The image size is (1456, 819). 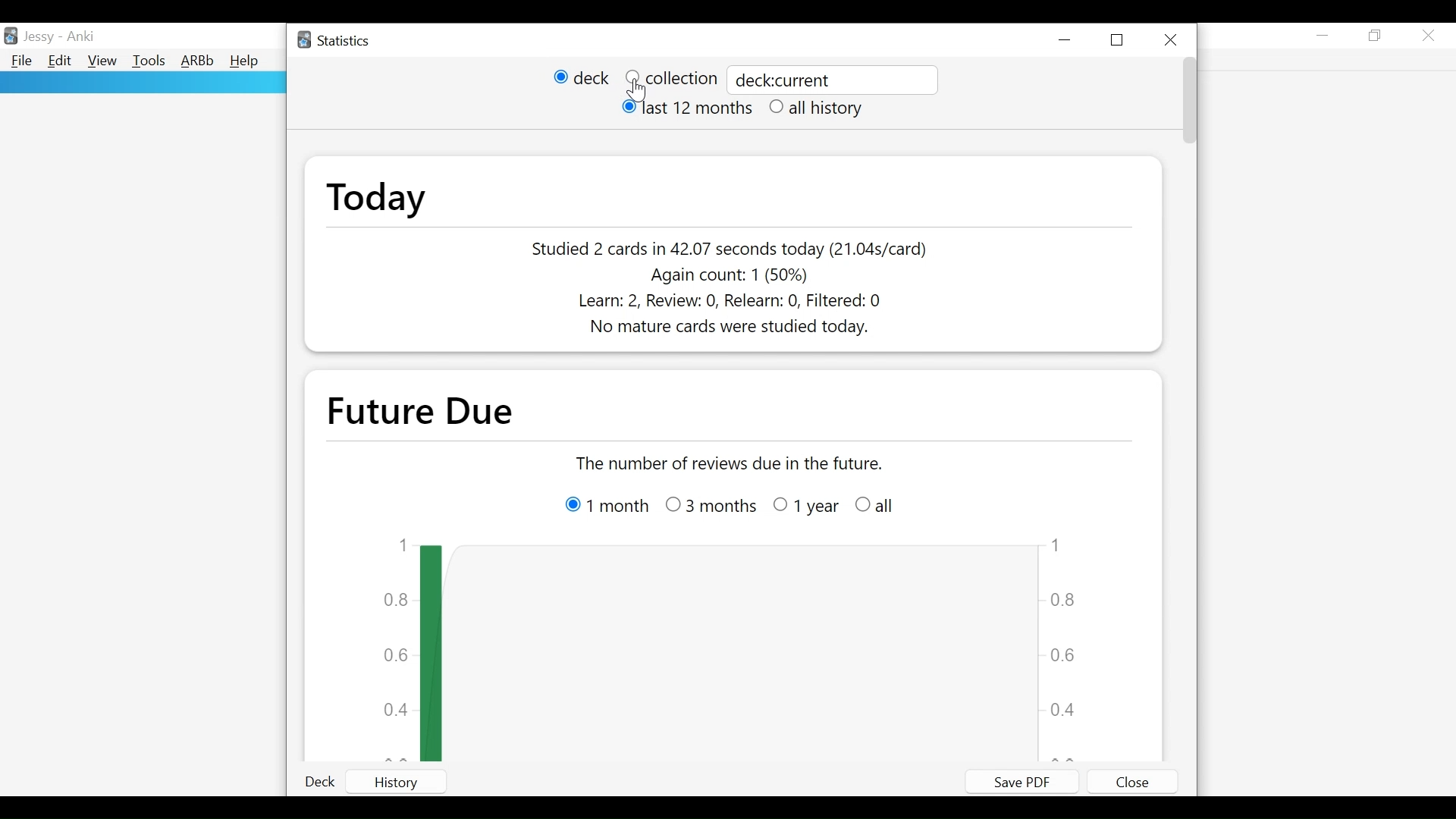 What do you see at coordinates (1429, 35) in the screenshot?
I see `Close` at bounding box center [1429, 35].